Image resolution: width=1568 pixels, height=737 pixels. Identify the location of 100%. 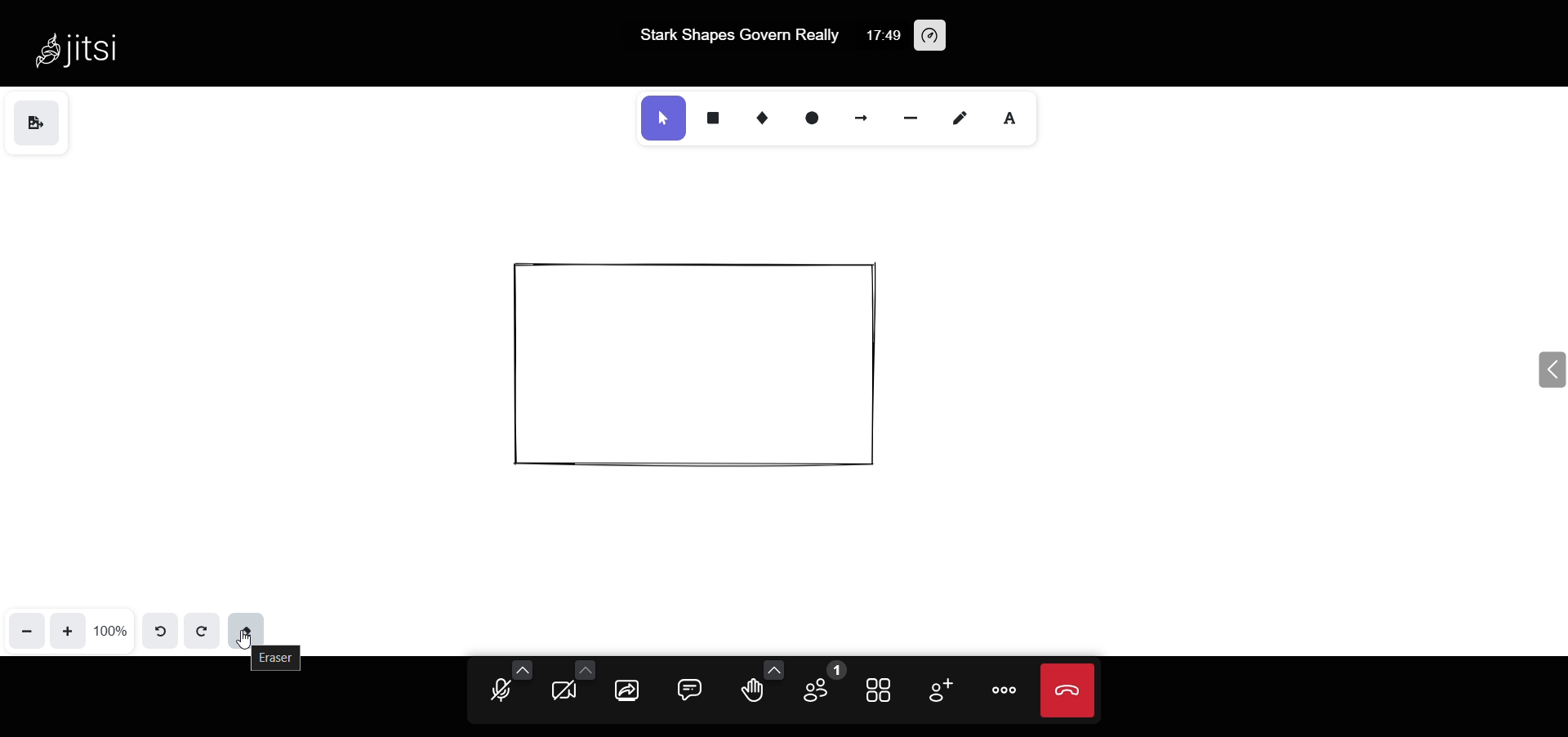
(111, 629).